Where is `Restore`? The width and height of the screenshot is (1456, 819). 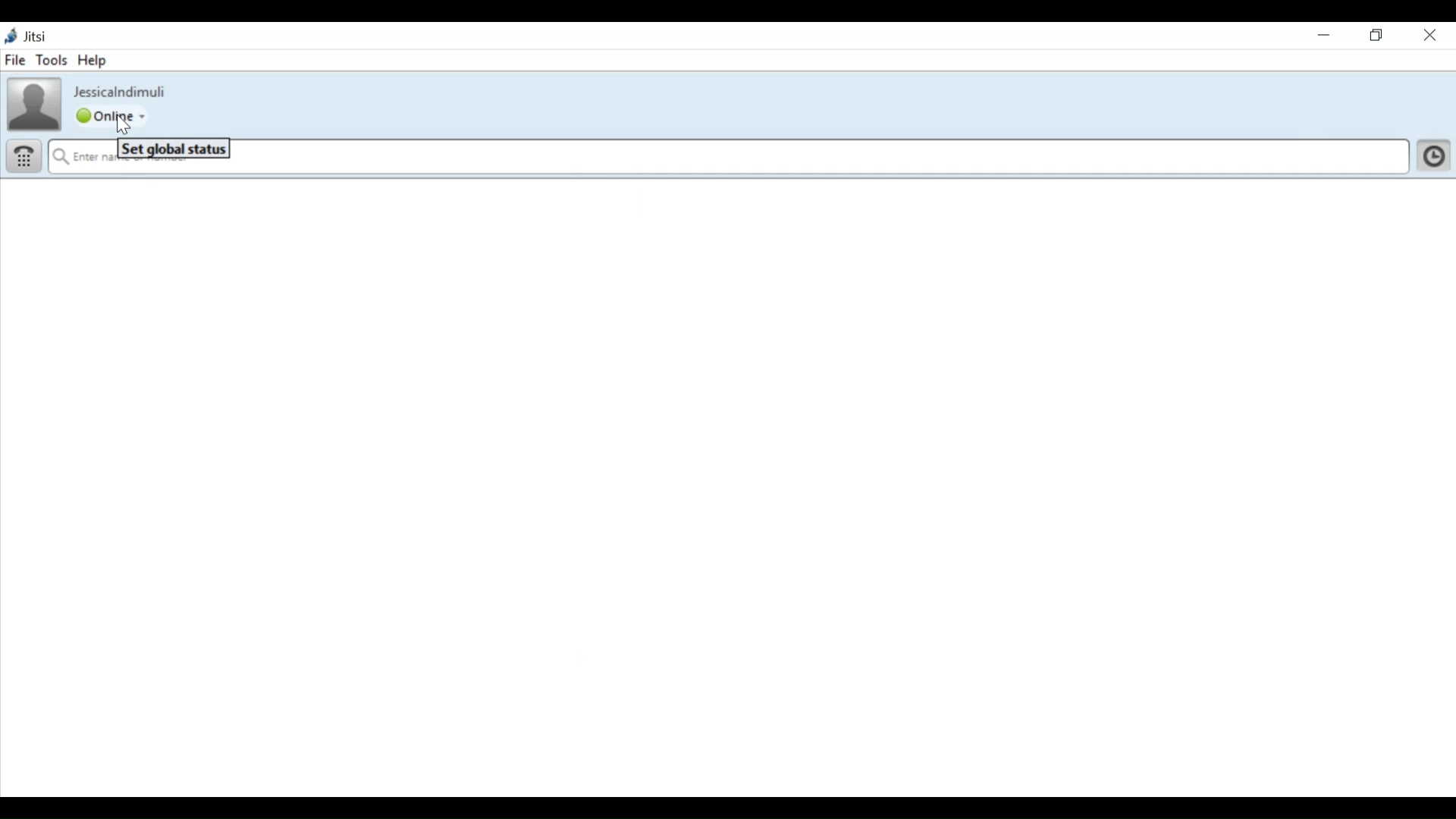
Restore is located at coordinates (1375, 36).